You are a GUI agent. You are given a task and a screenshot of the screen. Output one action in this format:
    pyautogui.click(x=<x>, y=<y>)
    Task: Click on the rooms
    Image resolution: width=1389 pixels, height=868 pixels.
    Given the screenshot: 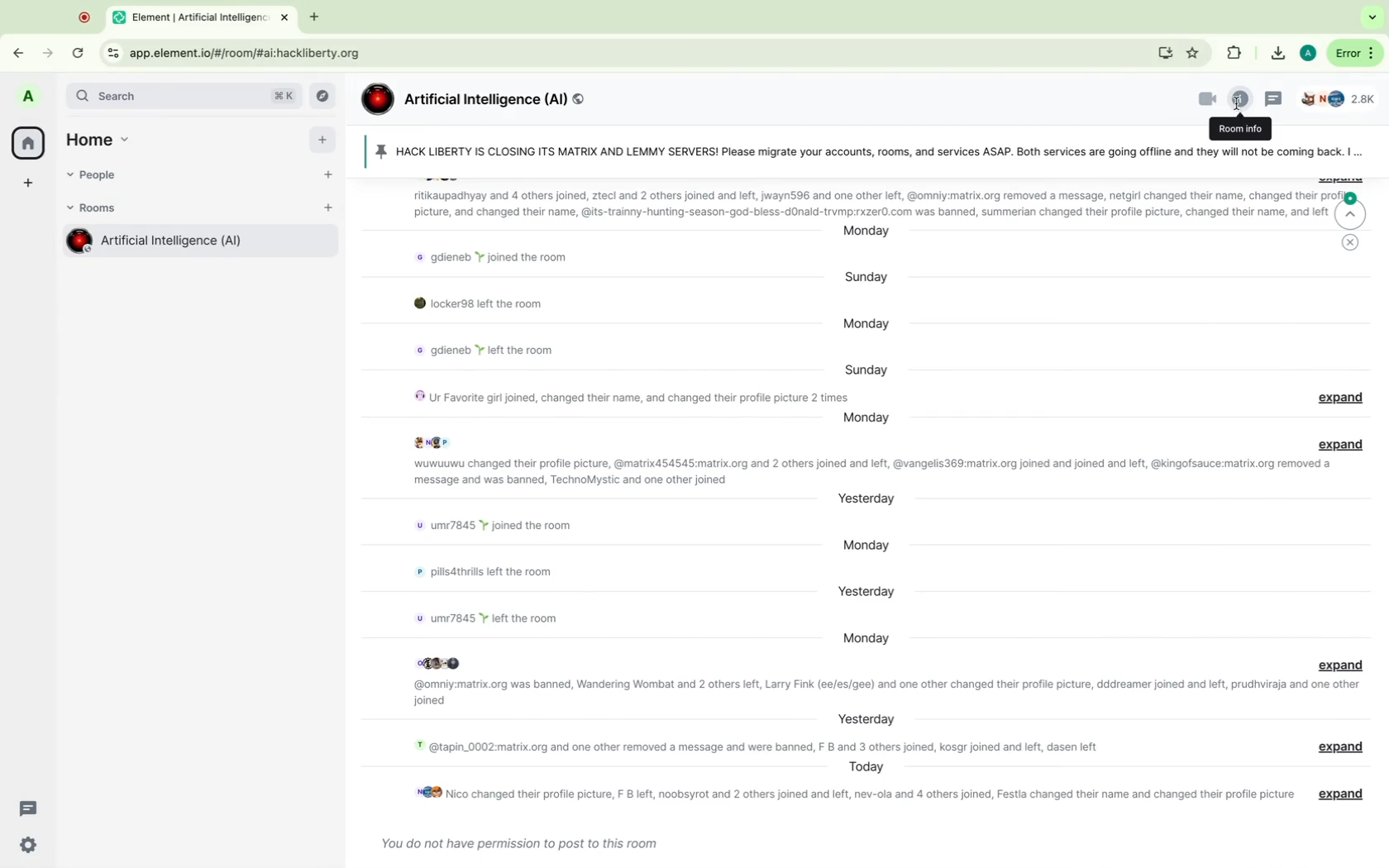 What is the action you would take?
    pyautogui.click(x=97, y=208)
    